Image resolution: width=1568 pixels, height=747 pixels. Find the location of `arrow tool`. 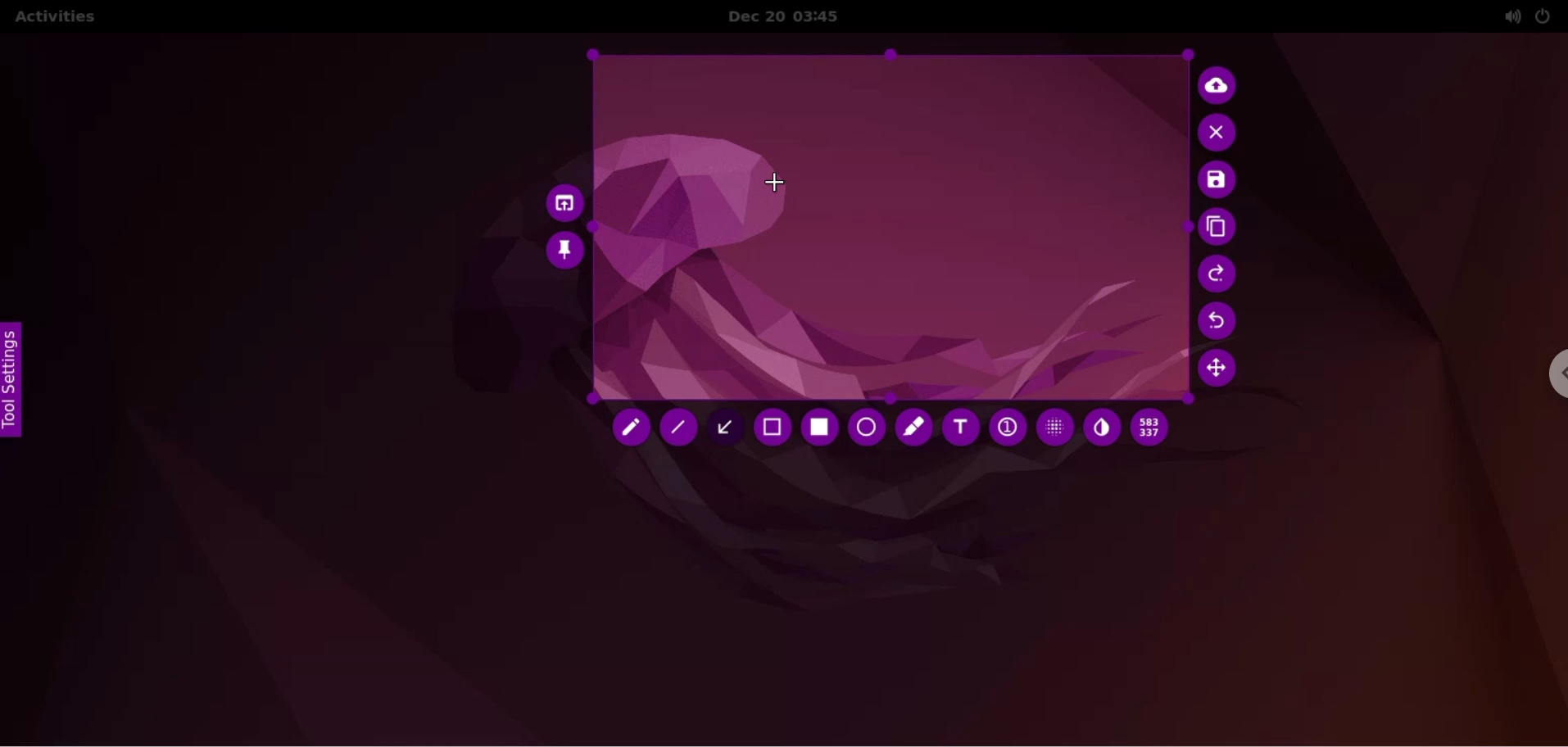

arrow tool is located at coordinates (730, 426).